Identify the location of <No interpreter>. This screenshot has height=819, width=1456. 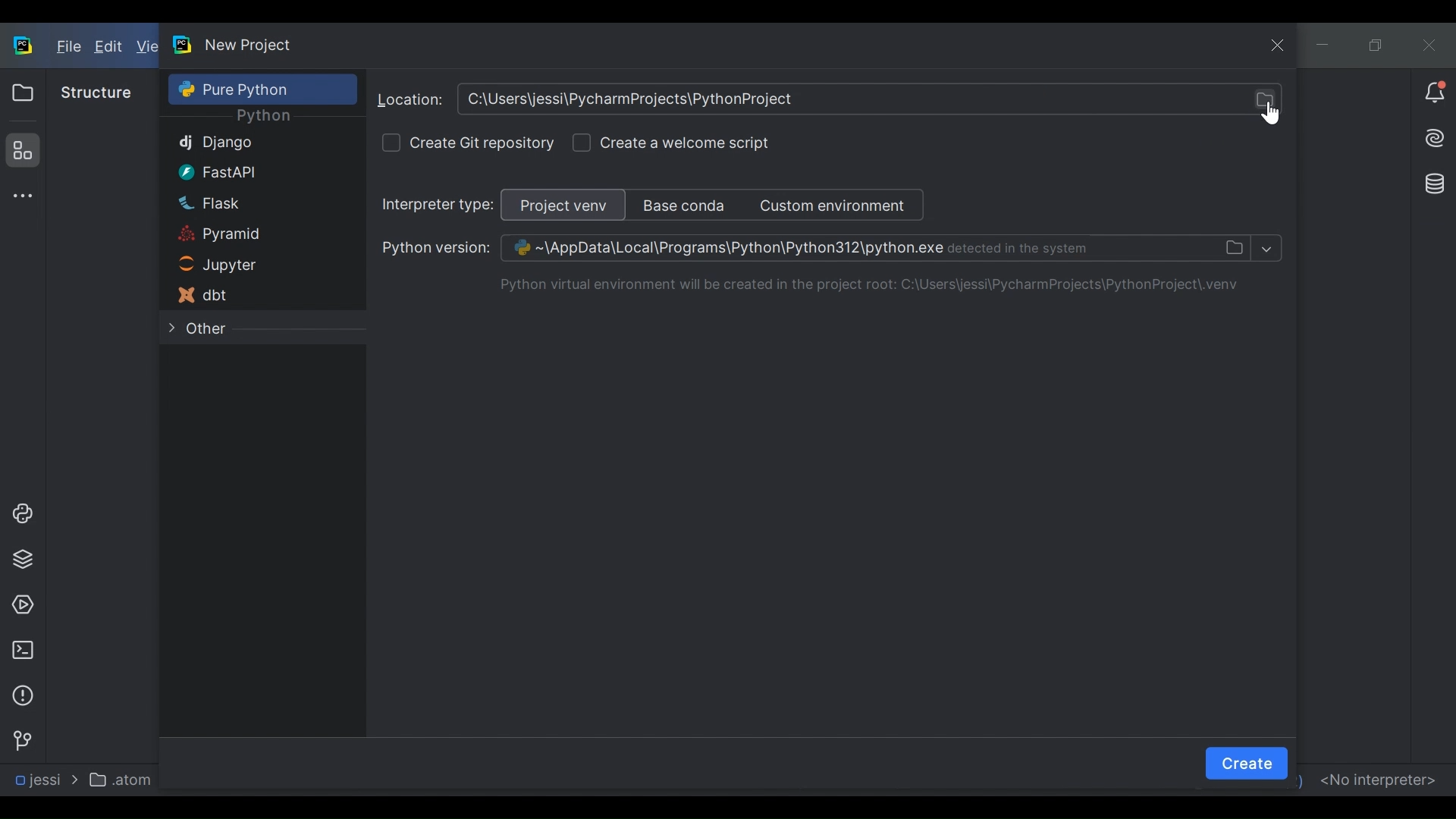
(1377, 778).